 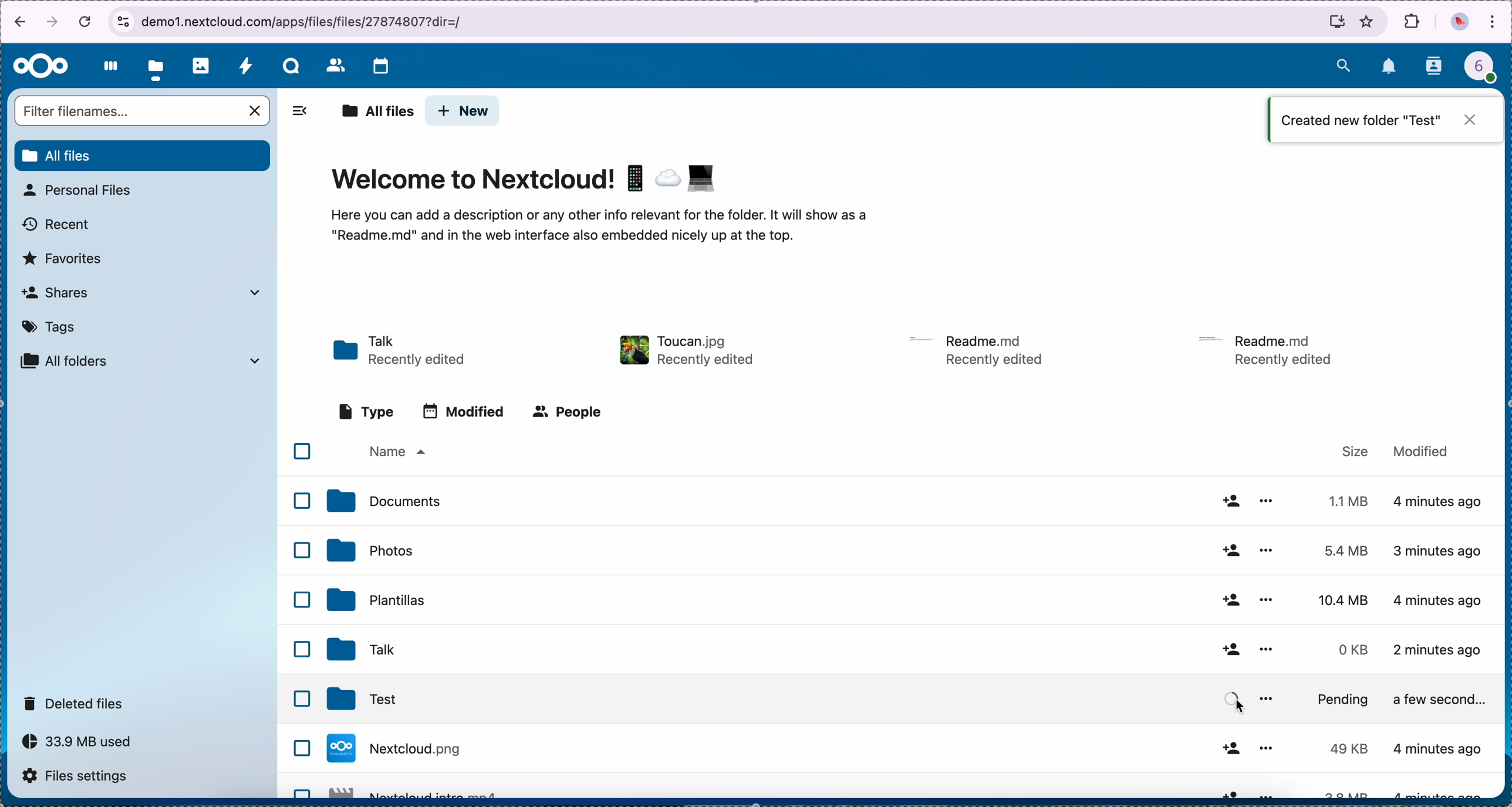 What do you see at coordinates (1444, 698) in the screenshot?
I see `4 minutes ago` at bounding box center [1444, 698].